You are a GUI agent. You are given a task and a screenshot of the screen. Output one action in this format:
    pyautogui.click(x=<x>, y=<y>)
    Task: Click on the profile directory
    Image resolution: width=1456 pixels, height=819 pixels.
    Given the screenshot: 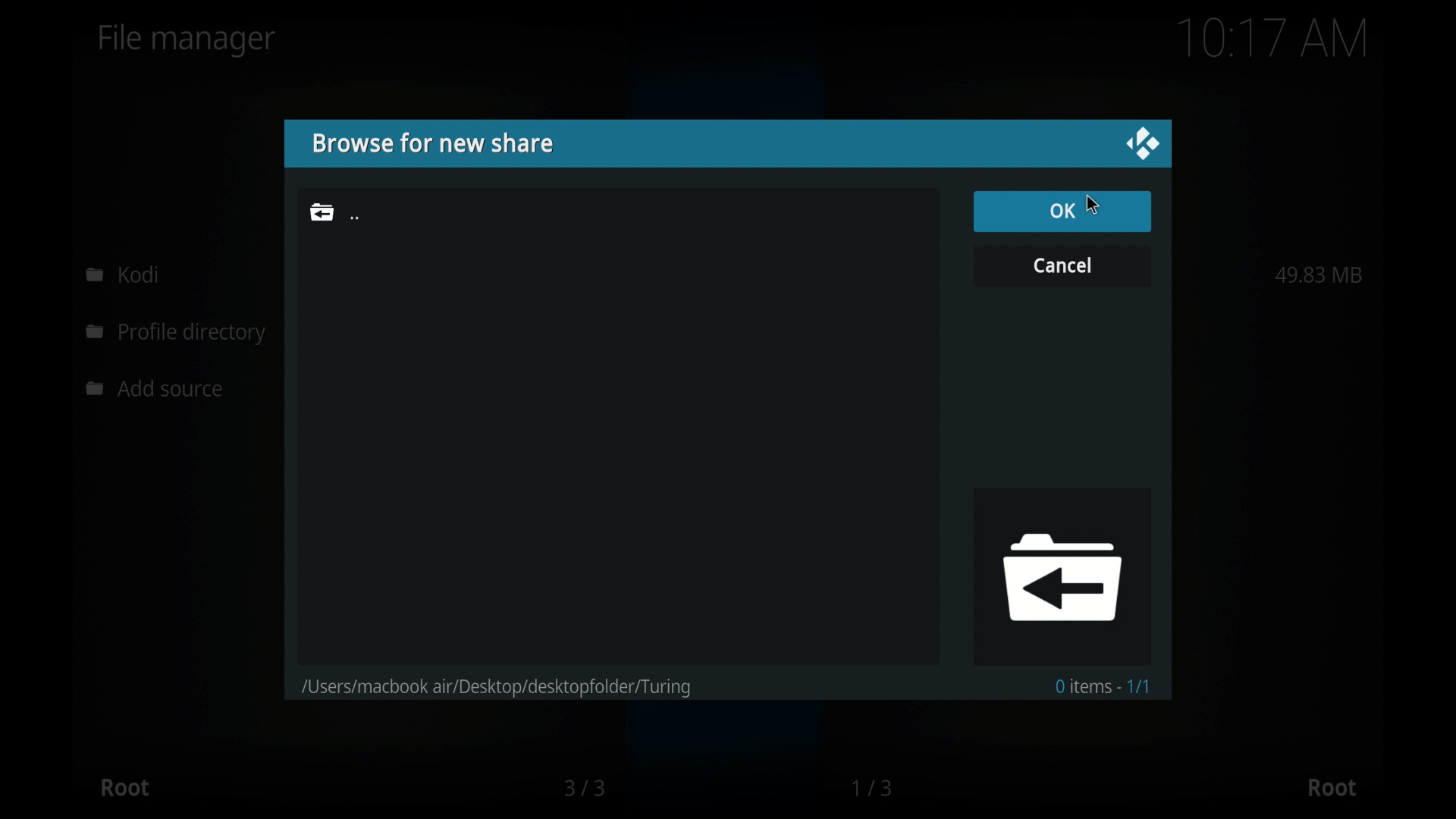 What is the action you would take?
    pyautogui.click(x=179, y=334)
    